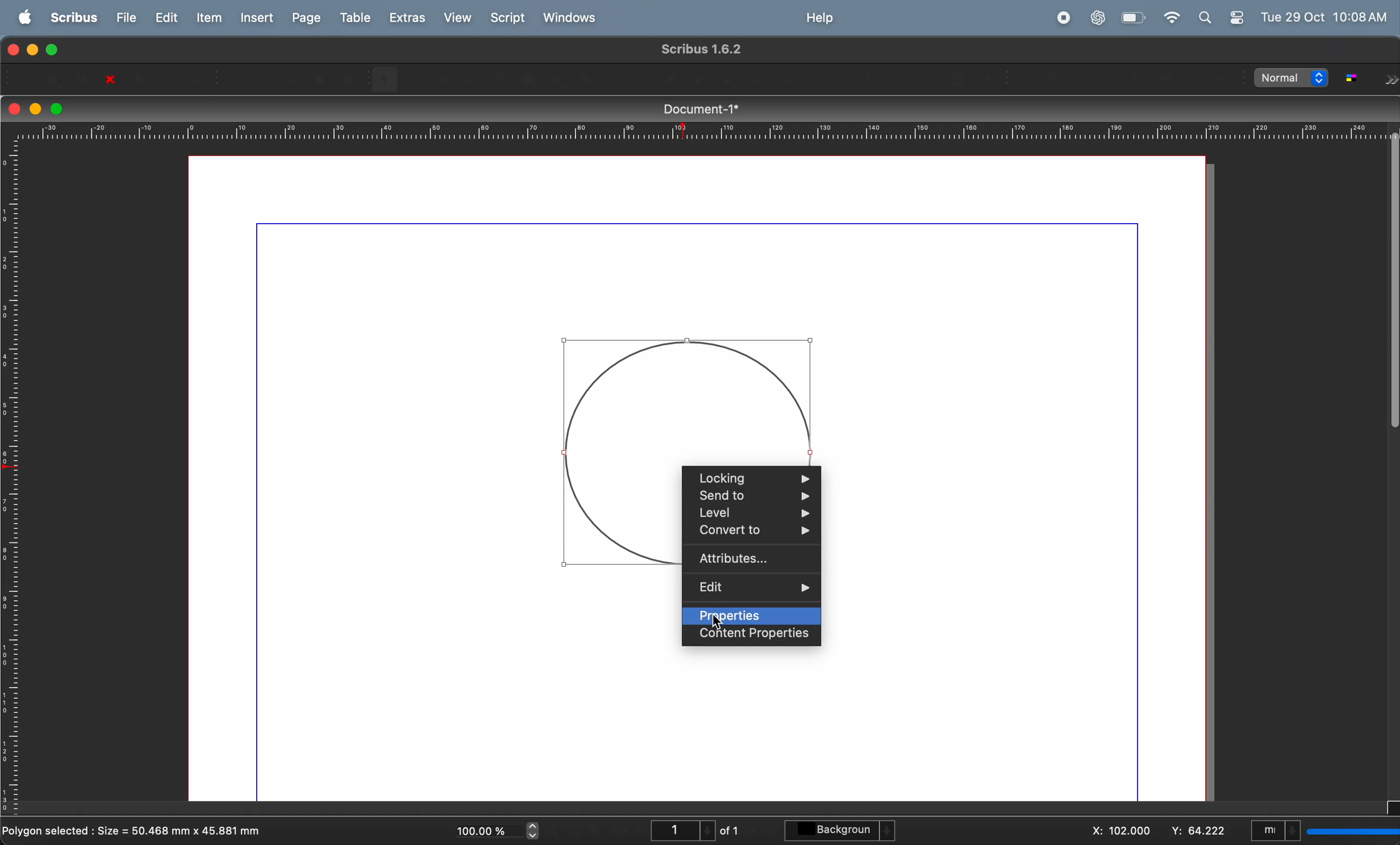 This screenshot has width=1400, height=845. Describe the element at coordinates (694, 830) in the screenshot. I see `page number` at that location.